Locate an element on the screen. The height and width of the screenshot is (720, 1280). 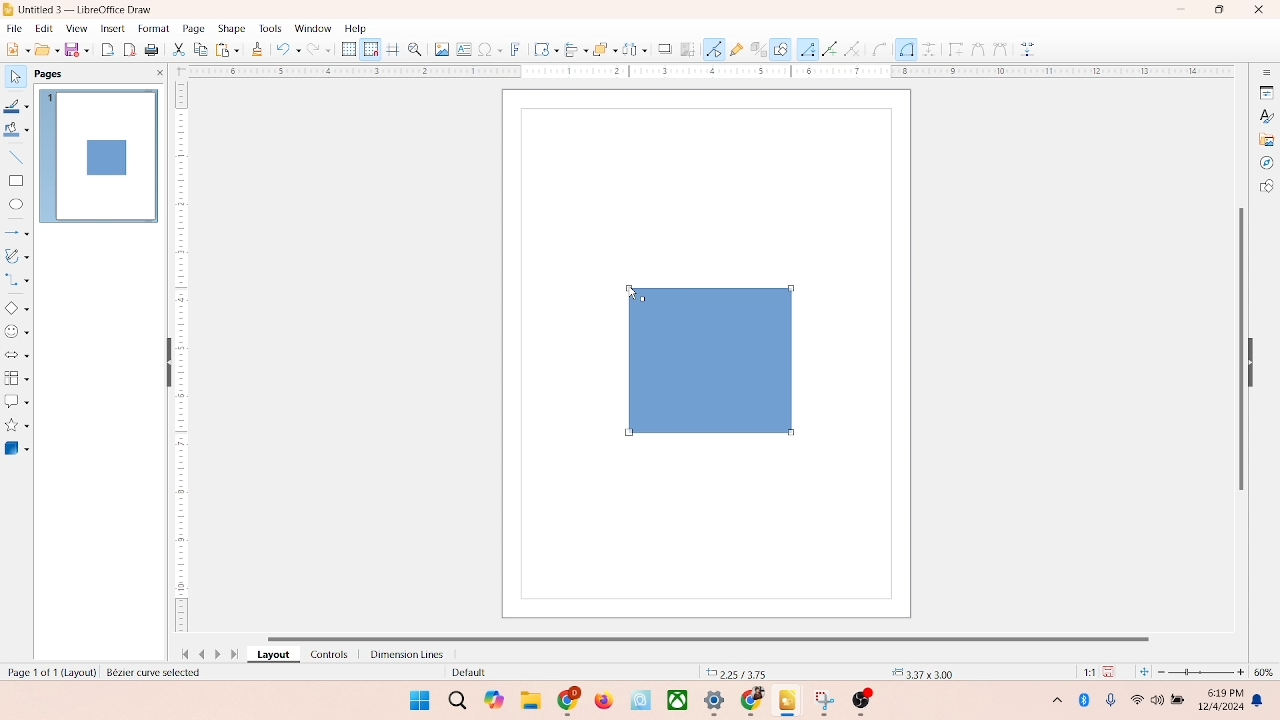
curves and polygons is located at coordinates (18, 254).